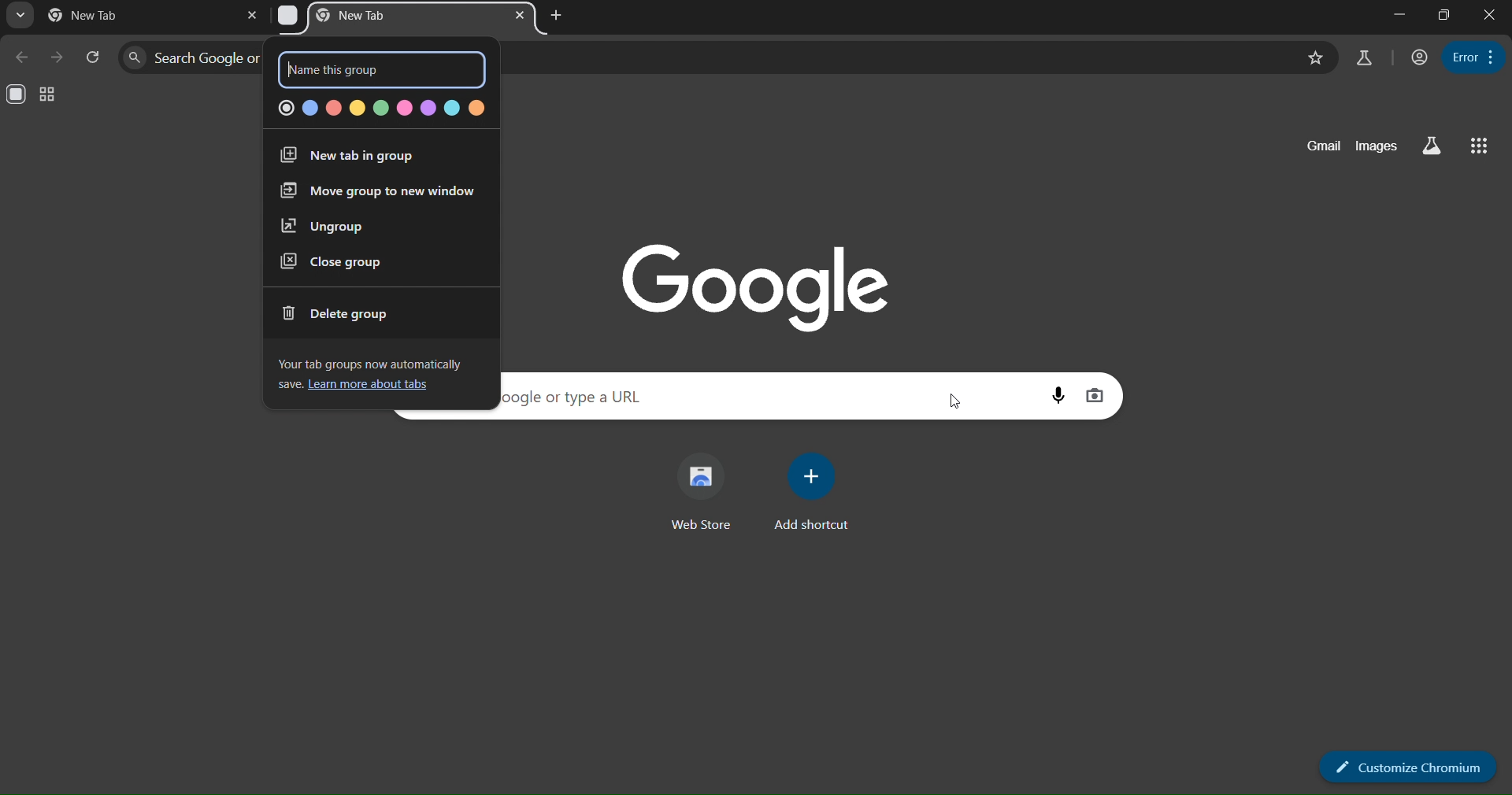  What do you see at coordinates (558, 15) in the screenshot?
I see `new tab` at bounding box center [558, 15].